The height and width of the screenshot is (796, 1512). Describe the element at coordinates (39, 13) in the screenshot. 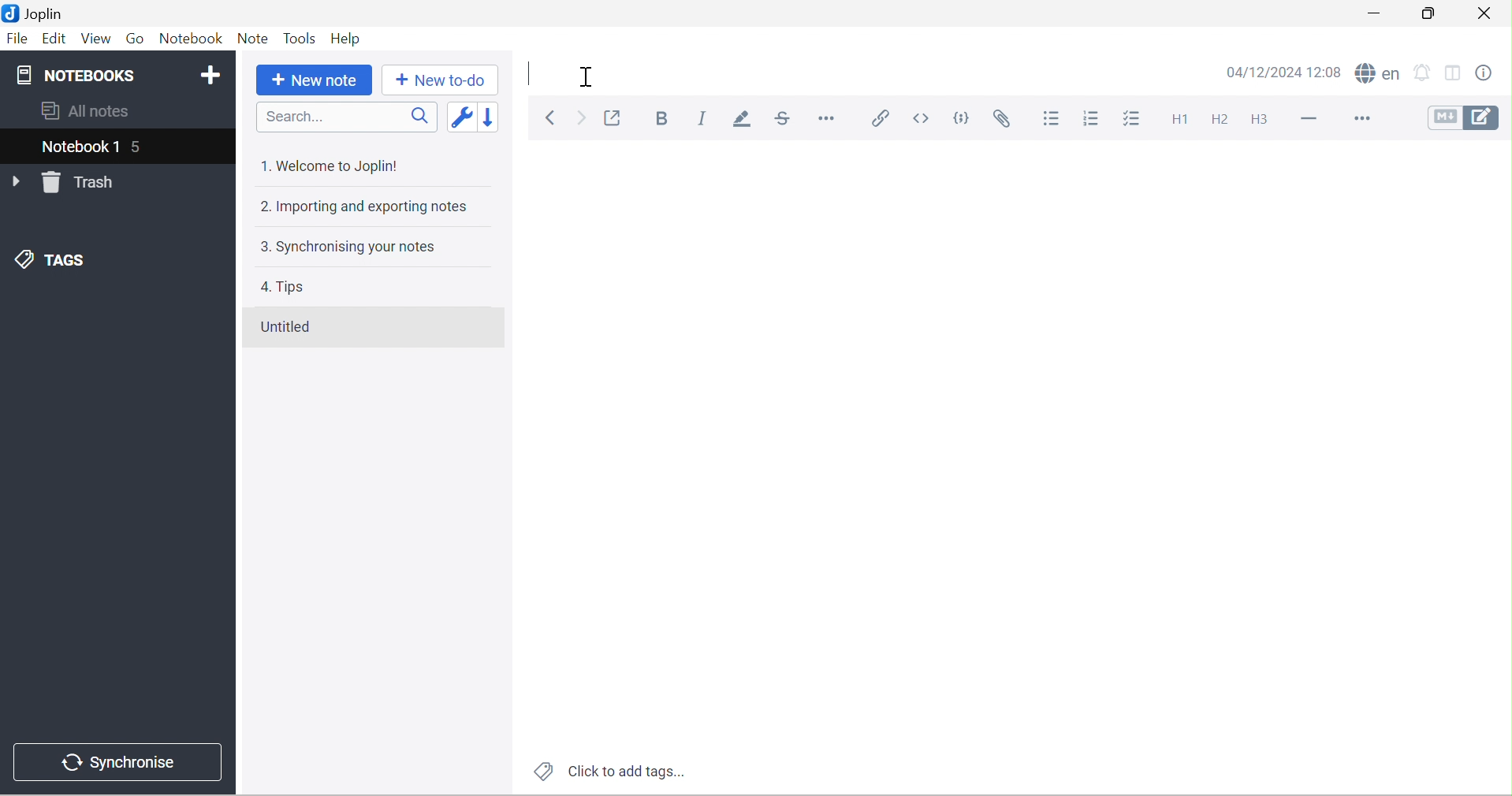

I see `Joplin` at that location.